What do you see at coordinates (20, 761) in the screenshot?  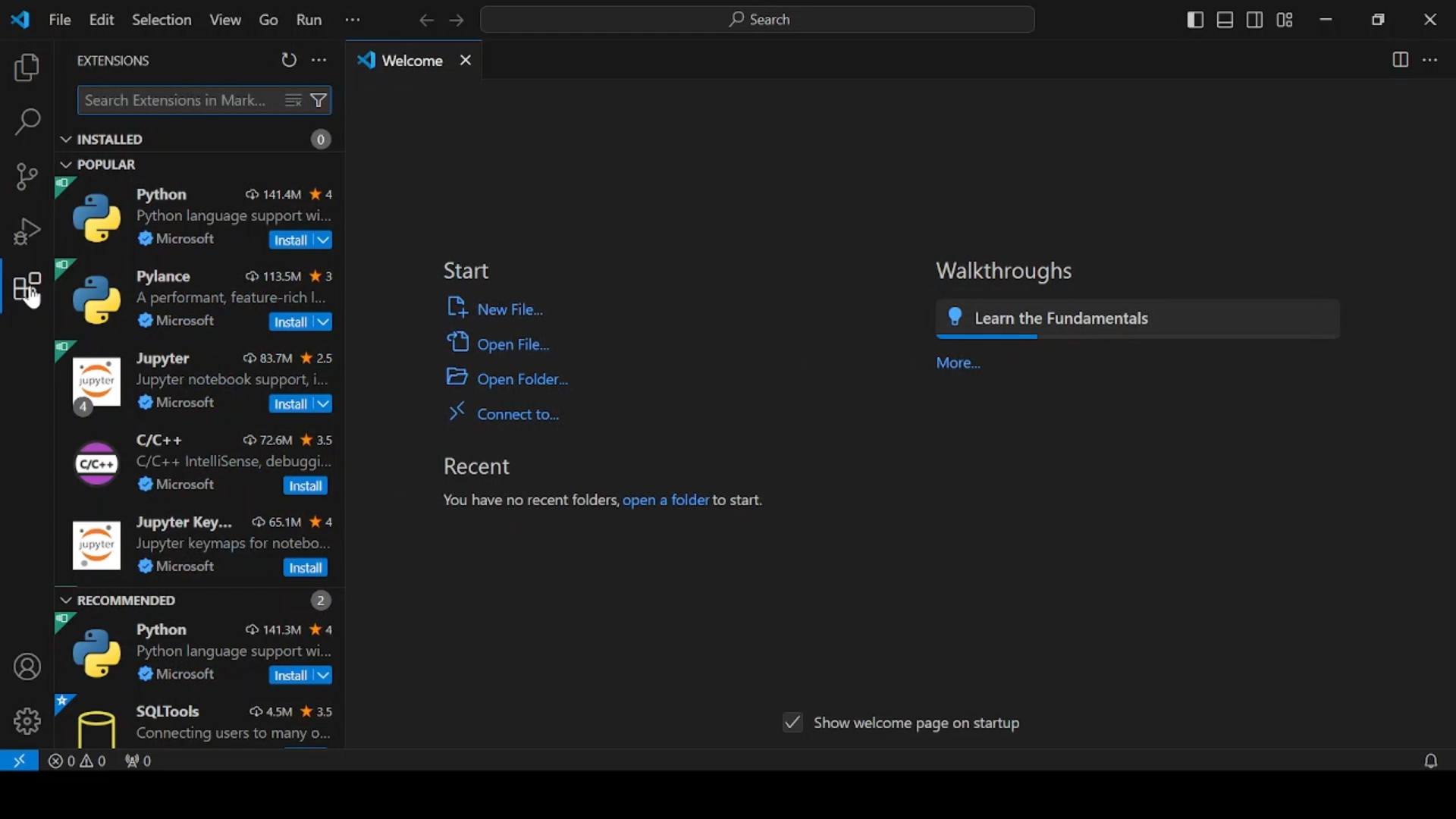 I see `open a remote window` at bounding box center [20, 761].